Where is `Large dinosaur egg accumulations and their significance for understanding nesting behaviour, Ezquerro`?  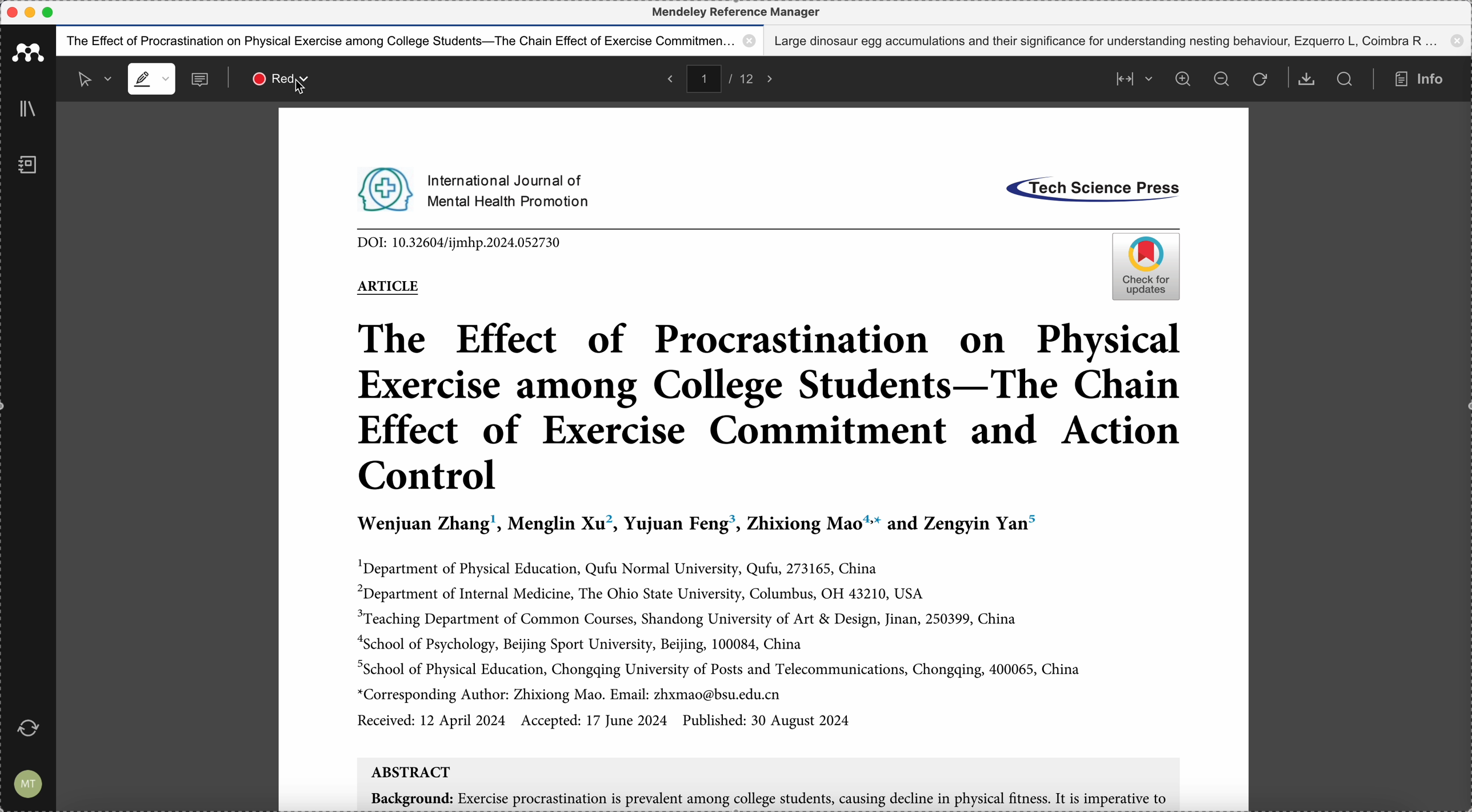 Large dinosaur egg accumulations and their significance for understanding nesting behaviour, Ezquerro is located at coordinates (1121, 41).